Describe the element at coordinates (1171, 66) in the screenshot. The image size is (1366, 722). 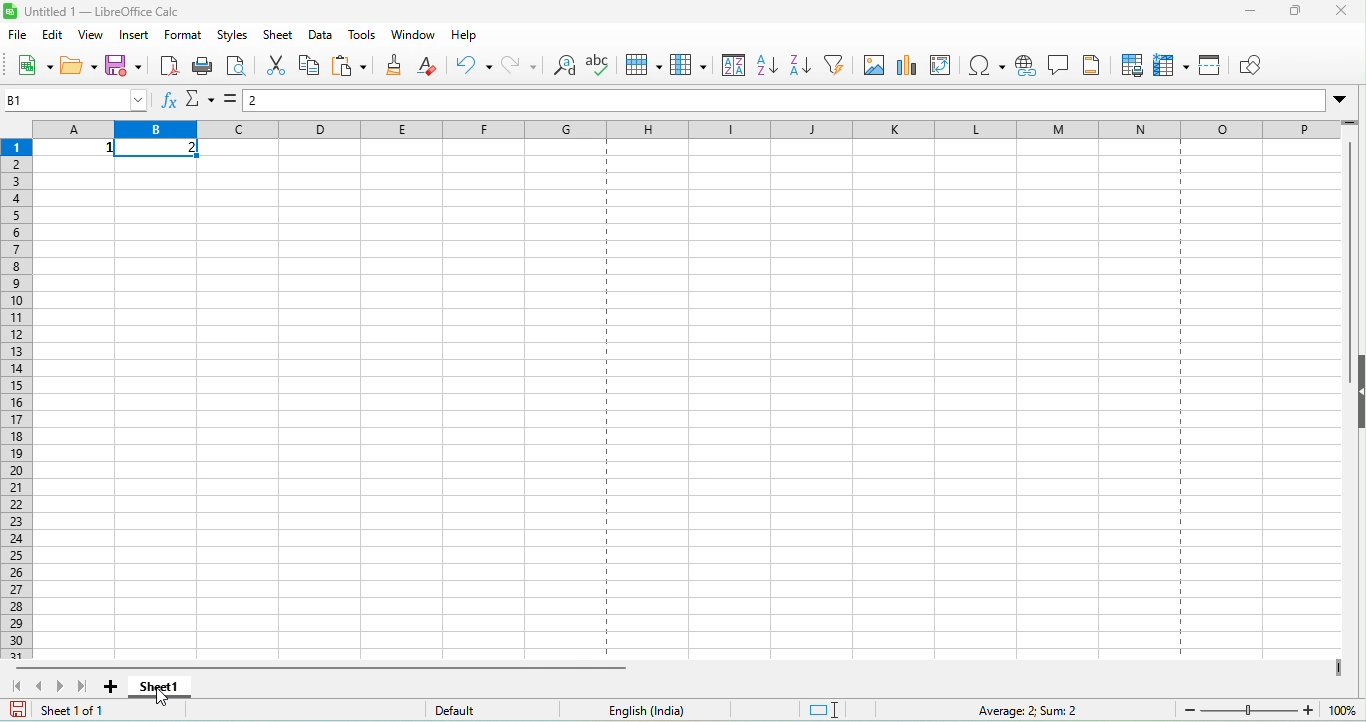
I see `freeze row and column` at that location.